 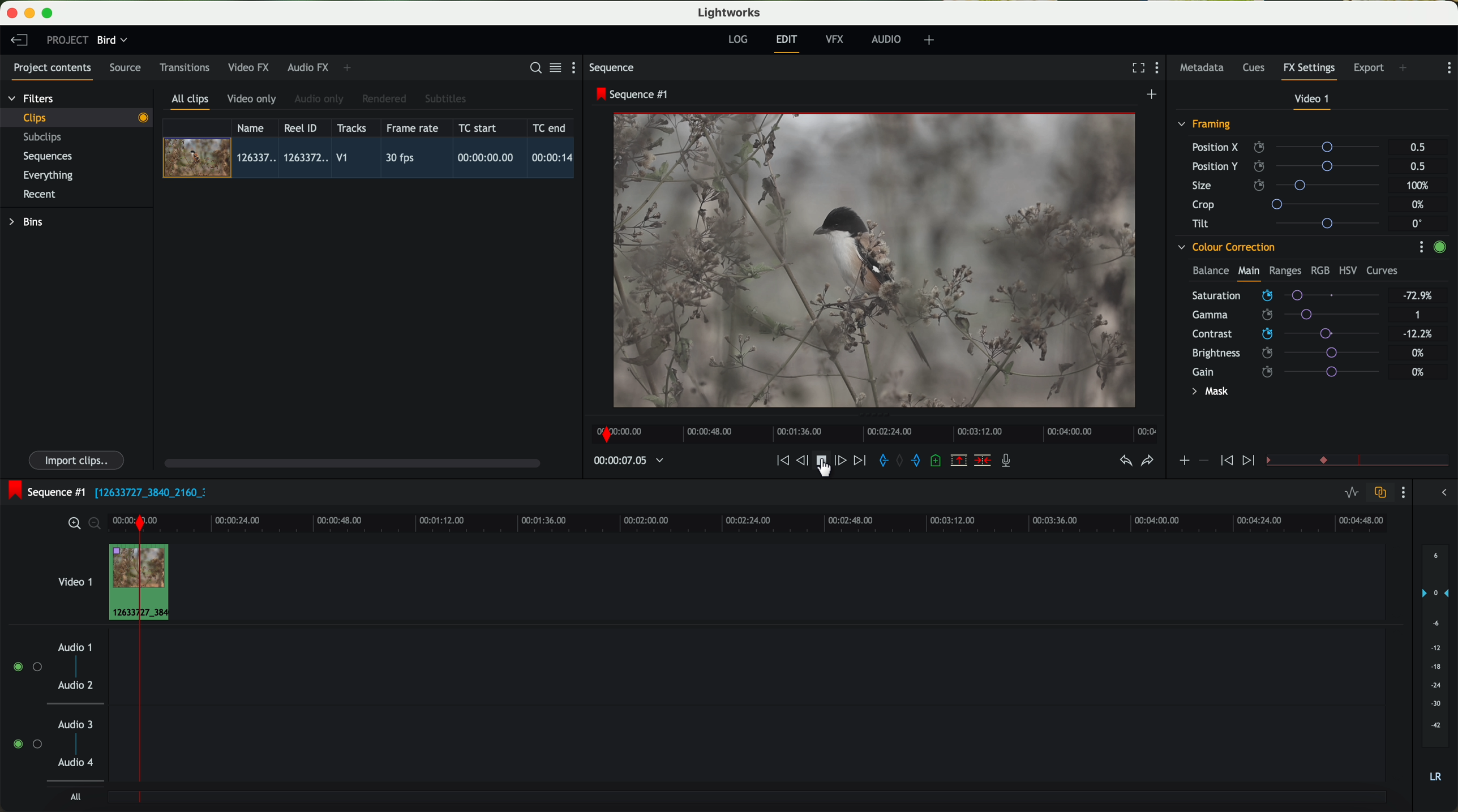 What do you see at coordinates (877, 260) in the screenshot?
I see `applied effect` at bounding box center [877, 260].